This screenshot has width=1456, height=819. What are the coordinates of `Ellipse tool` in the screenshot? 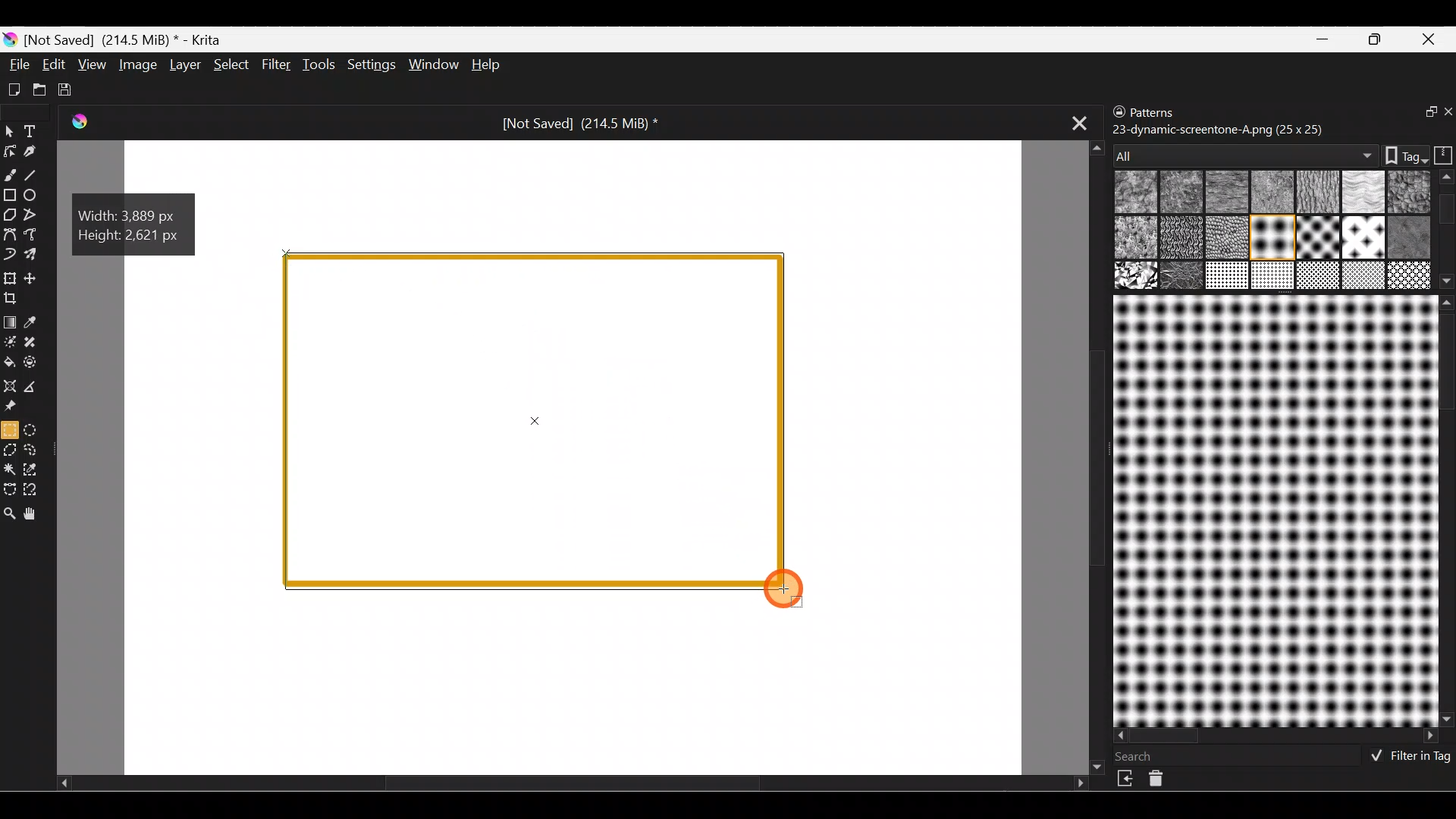 It's located at (37, 195).